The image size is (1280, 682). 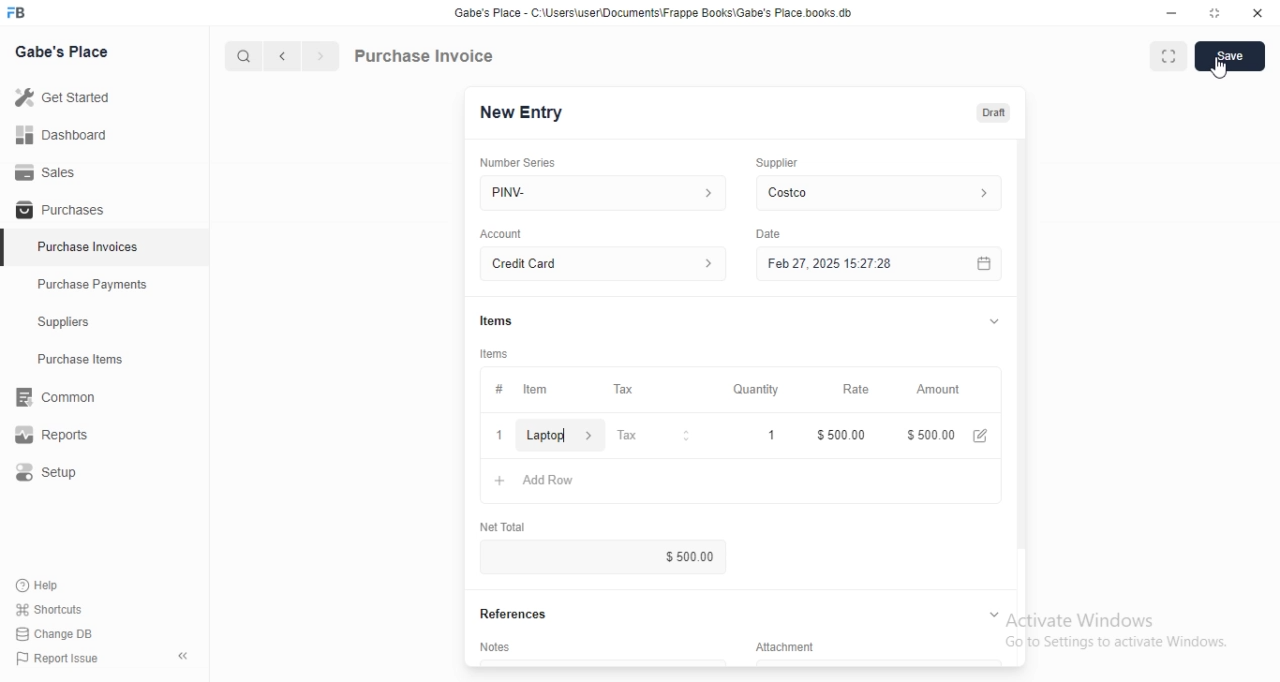 I want to click on Frappe Books logo, so click(x=15, y=12).